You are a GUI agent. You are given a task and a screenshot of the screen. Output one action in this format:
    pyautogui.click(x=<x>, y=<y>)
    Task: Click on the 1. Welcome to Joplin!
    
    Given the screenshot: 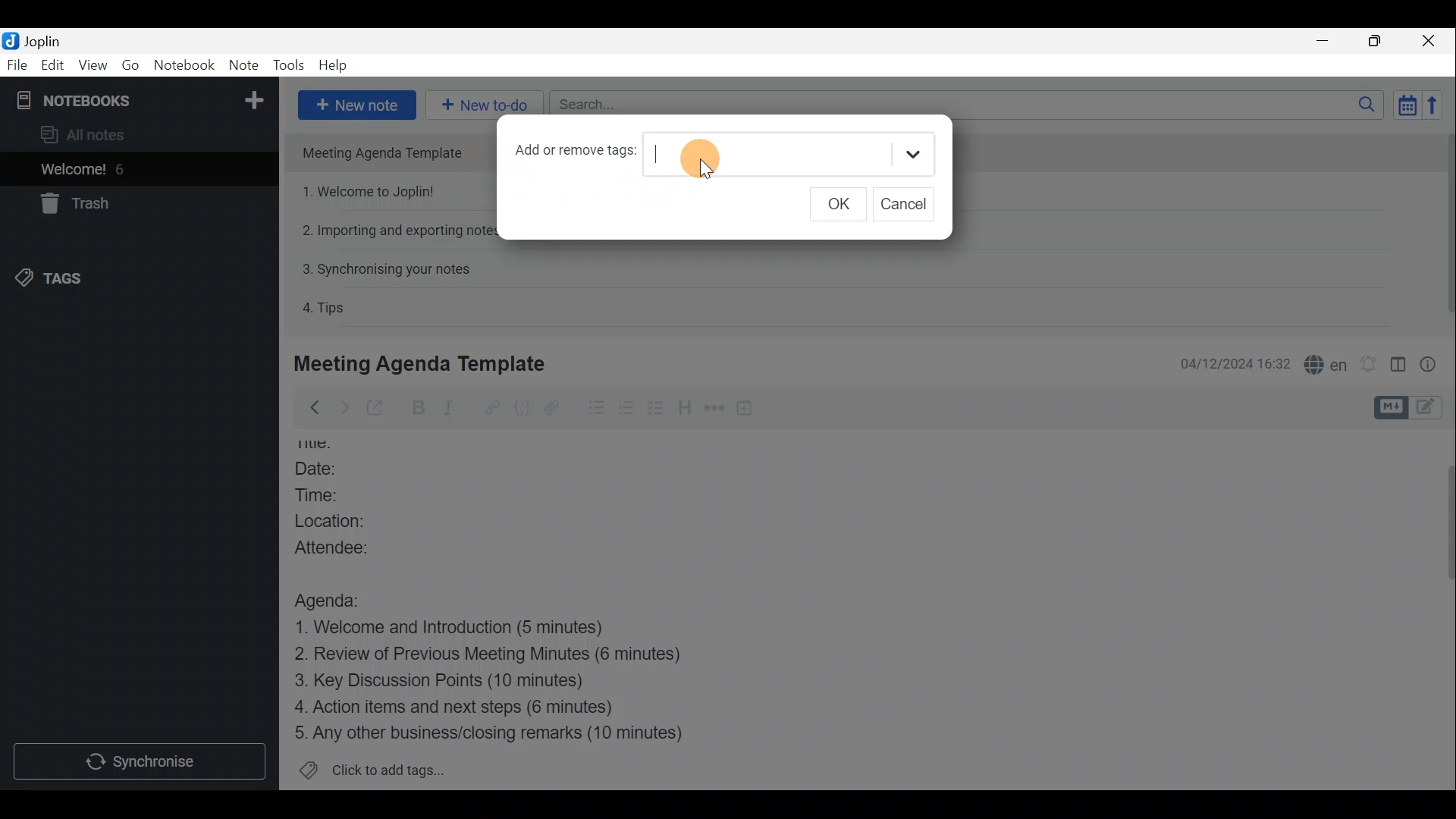 What is the action you would take?
    pyautogui.click(x=373, y=191)
    